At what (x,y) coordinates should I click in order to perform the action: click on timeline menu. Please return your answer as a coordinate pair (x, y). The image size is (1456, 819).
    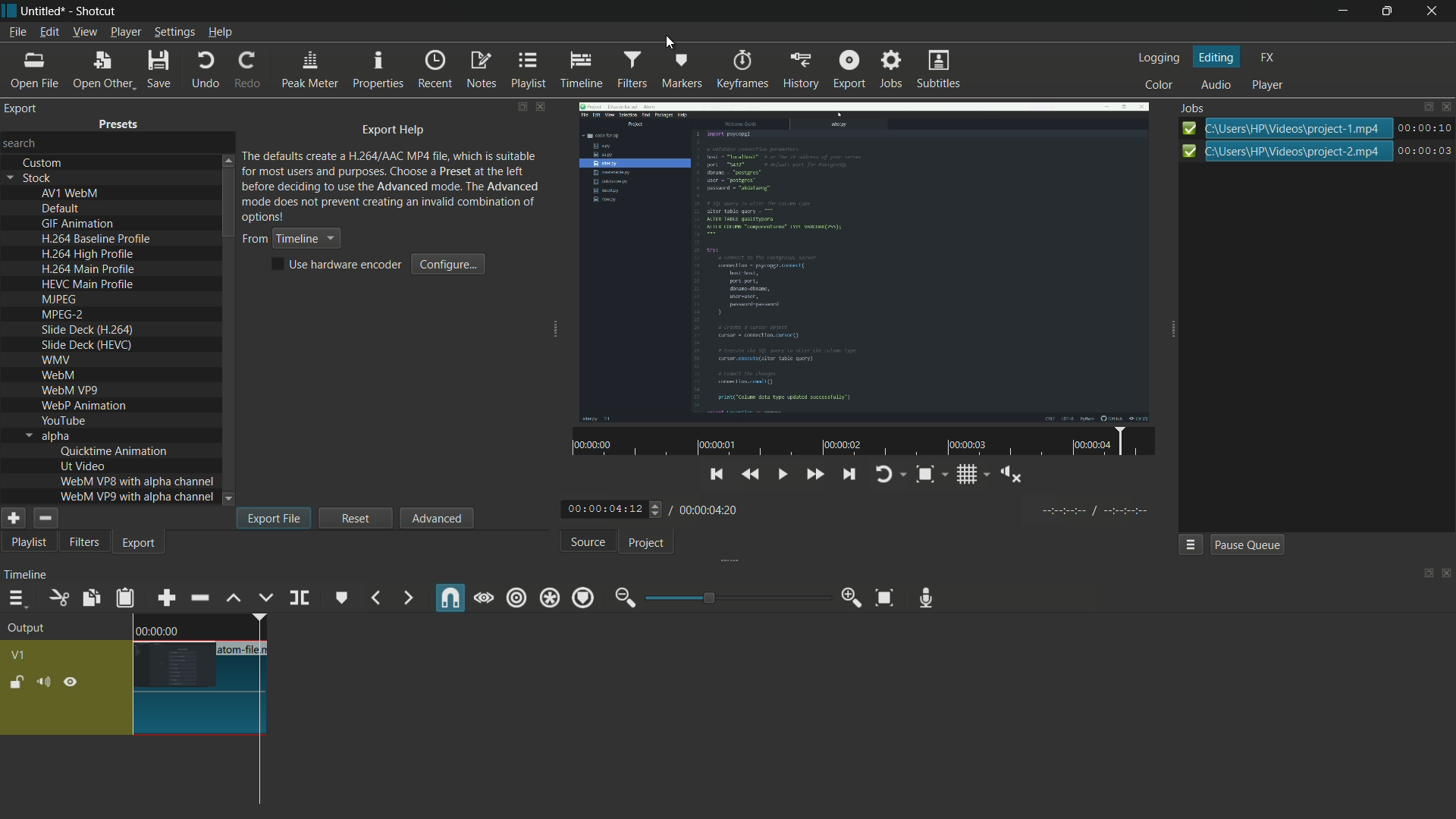
    Looking at the image, I should click on (17, 599).